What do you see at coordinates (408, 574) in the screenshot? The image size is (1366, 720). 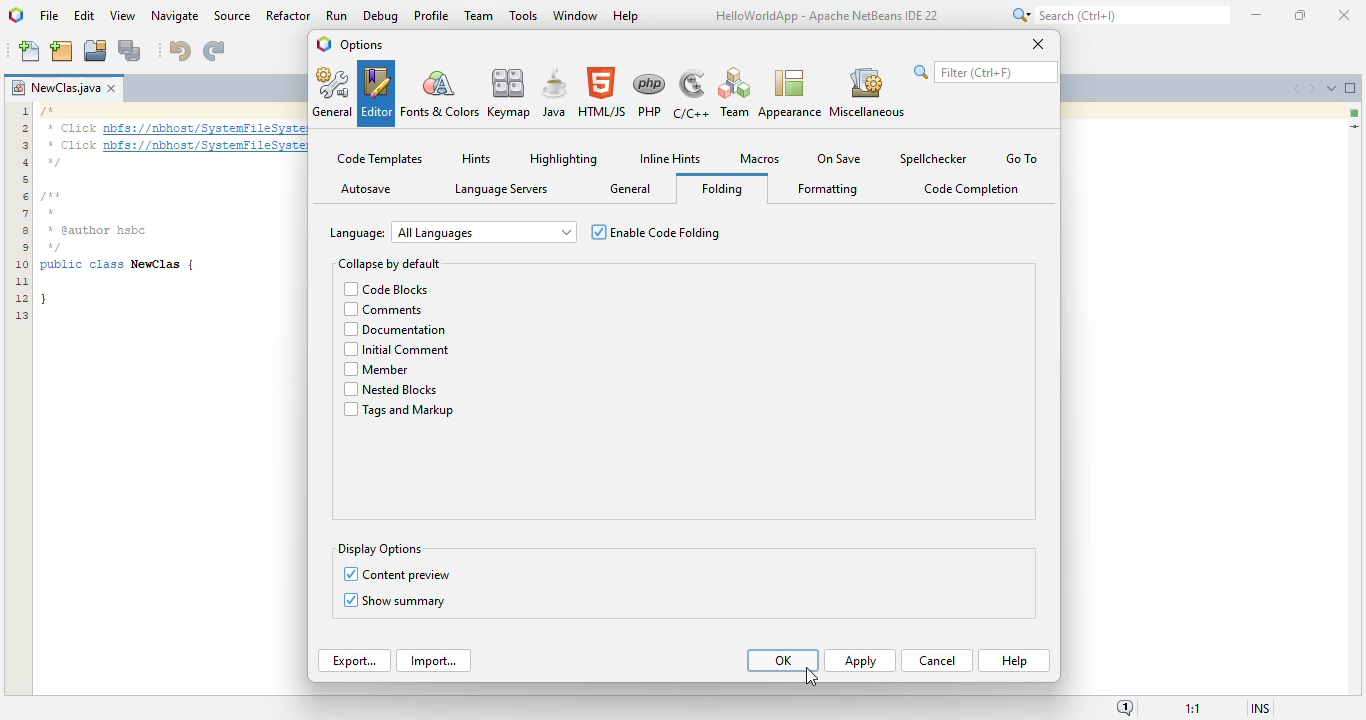 I see `content preview` at bounding box center [408, 574].